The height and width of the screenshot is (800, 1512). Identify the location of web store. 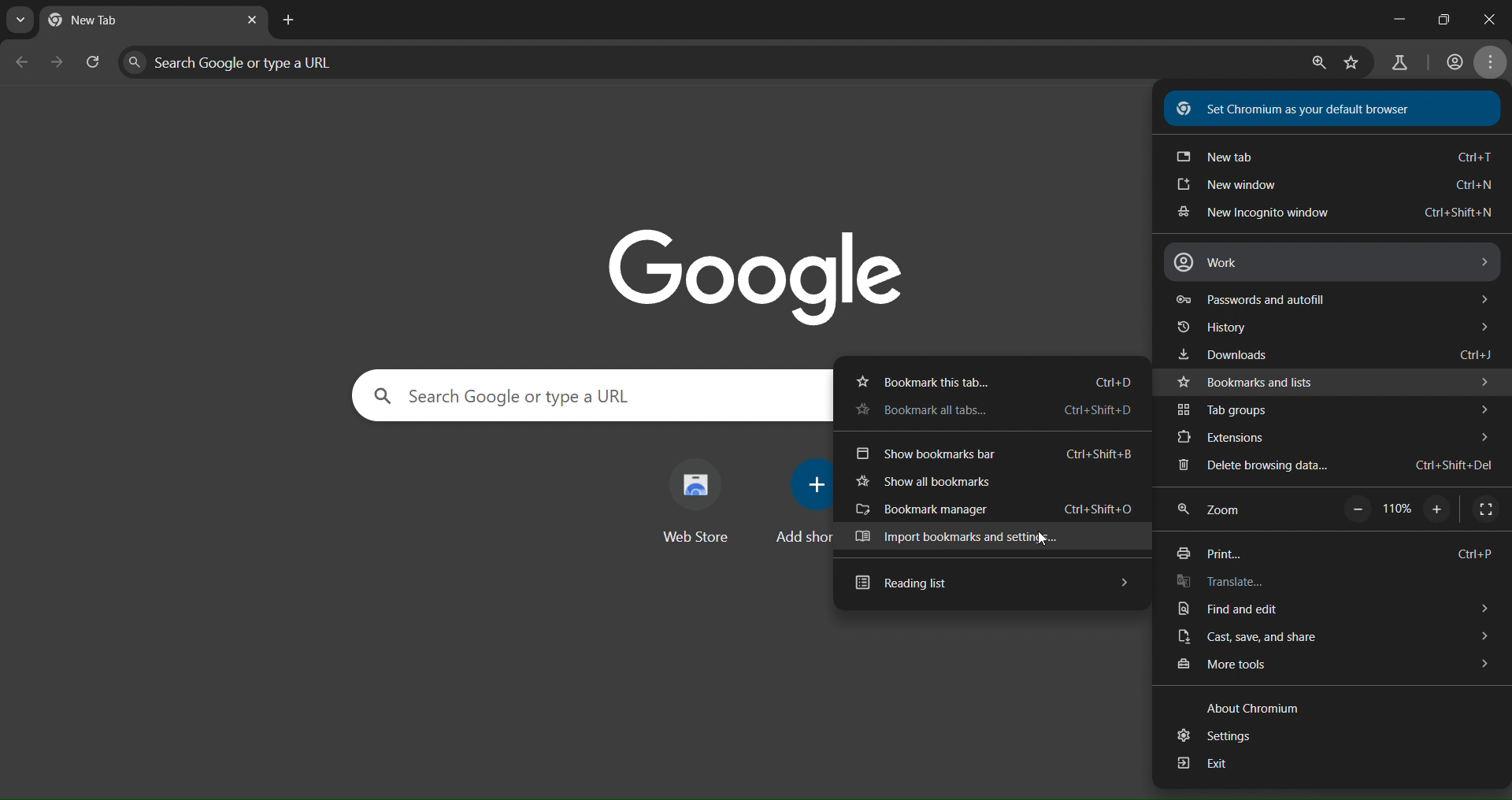
(704, 501).